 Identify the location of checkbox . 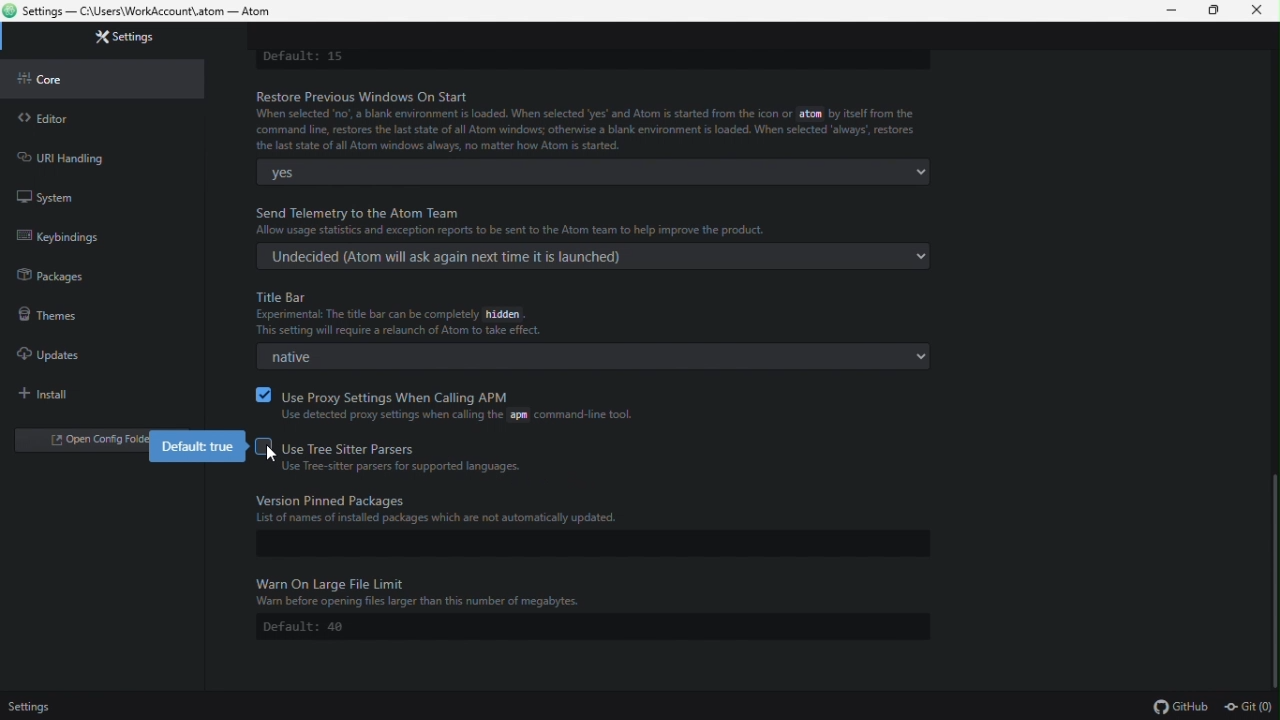
(261, 446).